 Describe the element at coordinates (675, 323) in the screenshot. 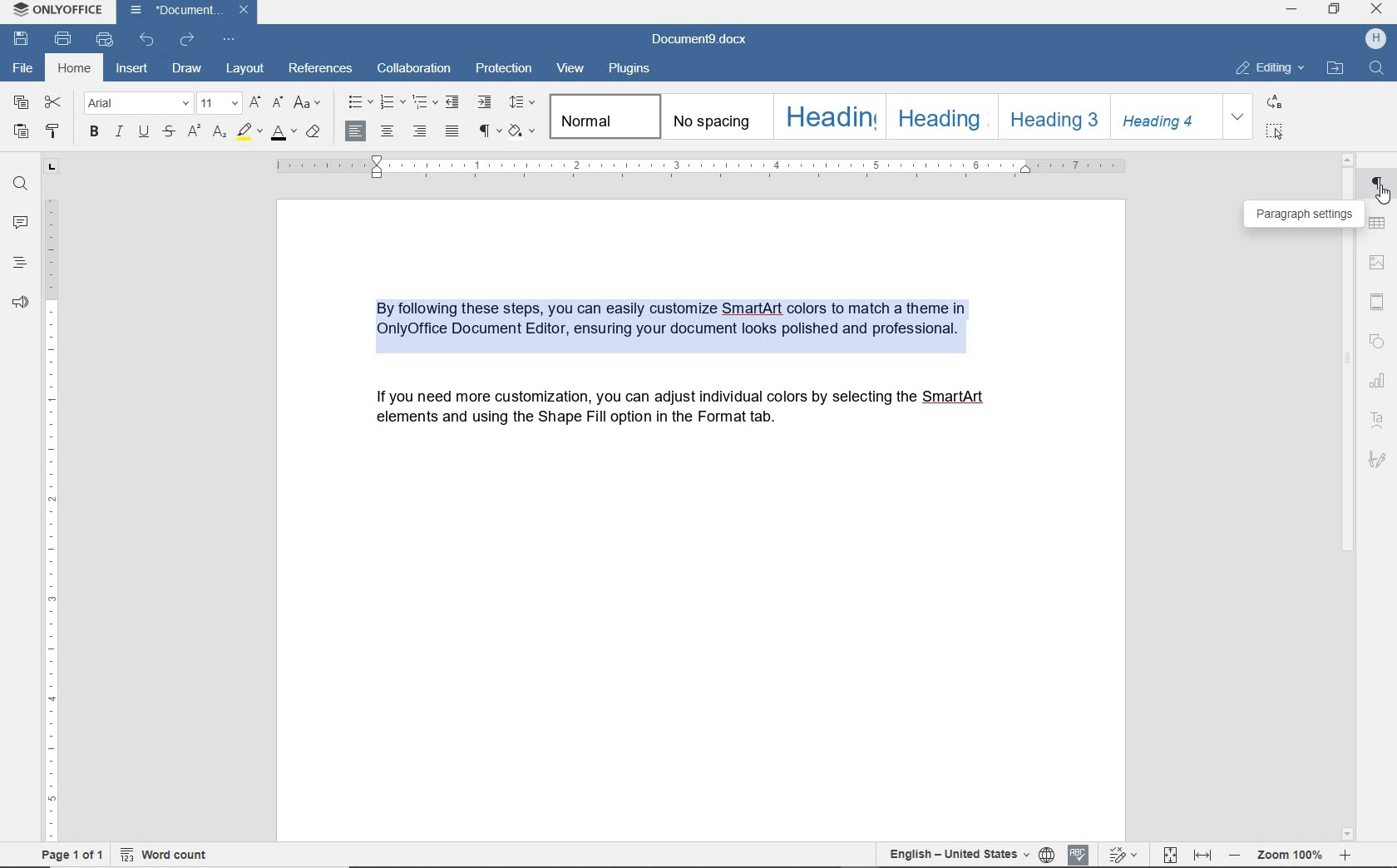

I see `TEXT HIGHLIGHTED` at that location.